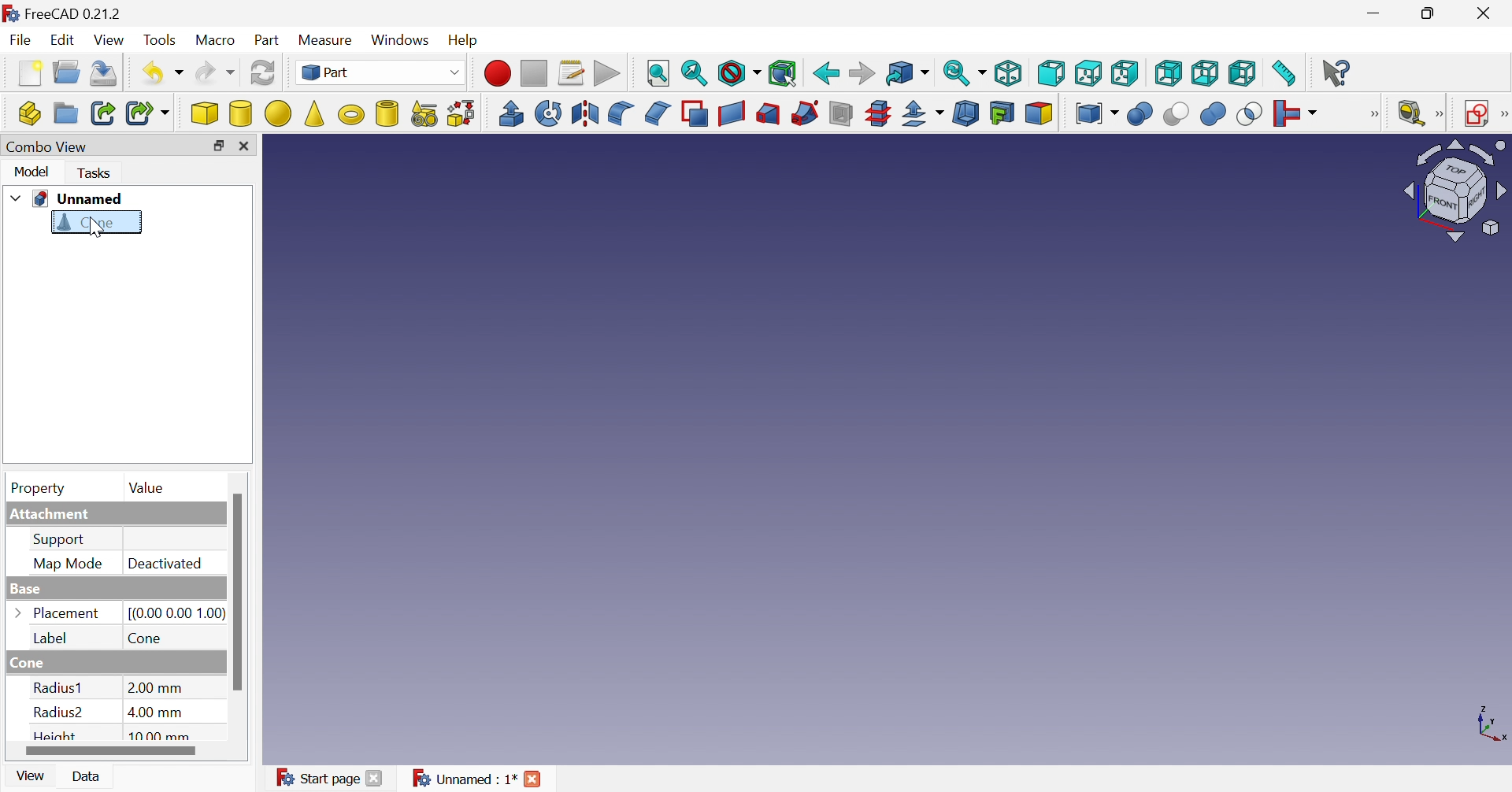  Describe the element at coordinates (878, 113) in the screenshot. I see `Cross-sections` at that location.